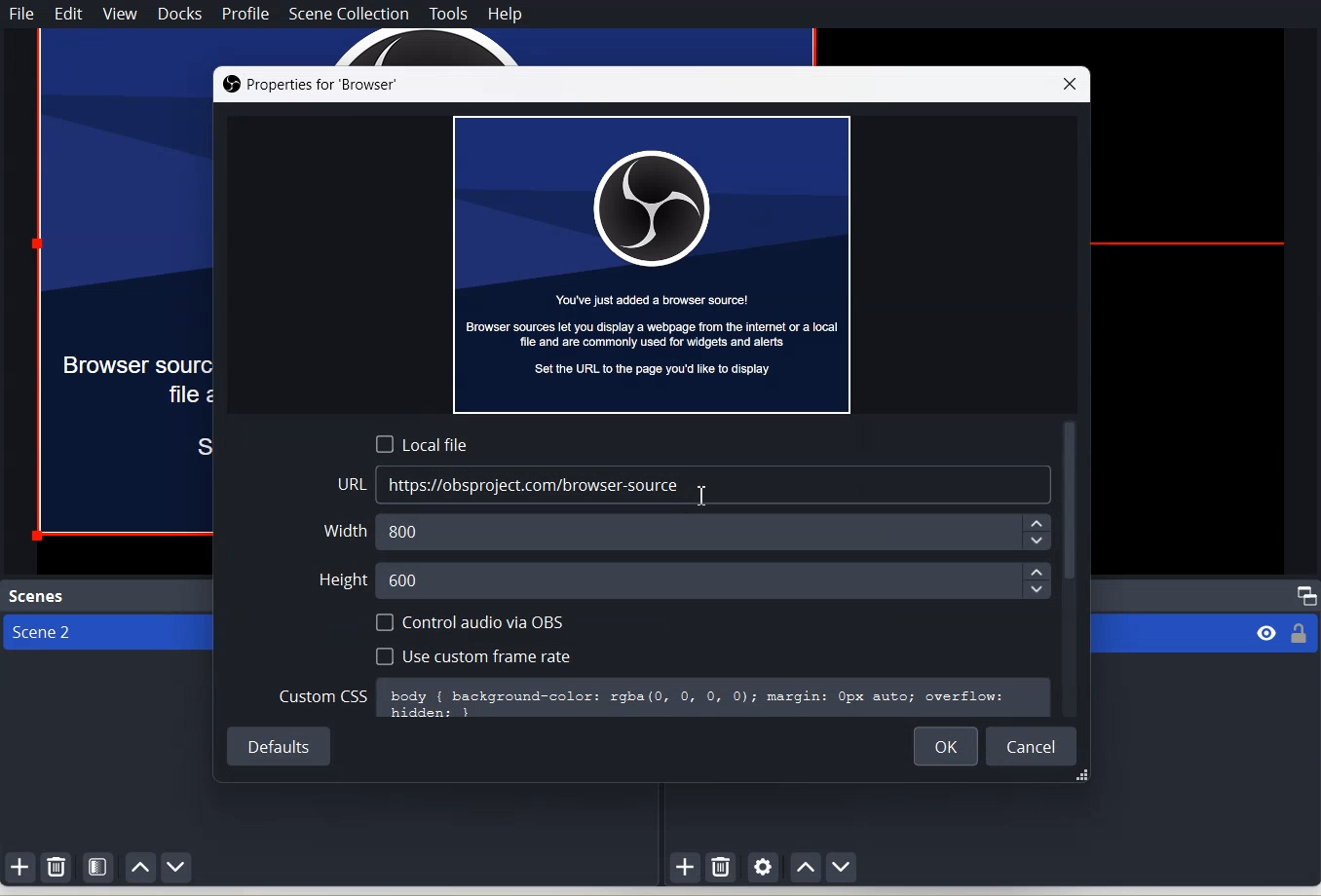  What do you see at coordinates (57, 868) in the screenshot?
I see `Remove selected Scene` at bounding box center [57, 868].